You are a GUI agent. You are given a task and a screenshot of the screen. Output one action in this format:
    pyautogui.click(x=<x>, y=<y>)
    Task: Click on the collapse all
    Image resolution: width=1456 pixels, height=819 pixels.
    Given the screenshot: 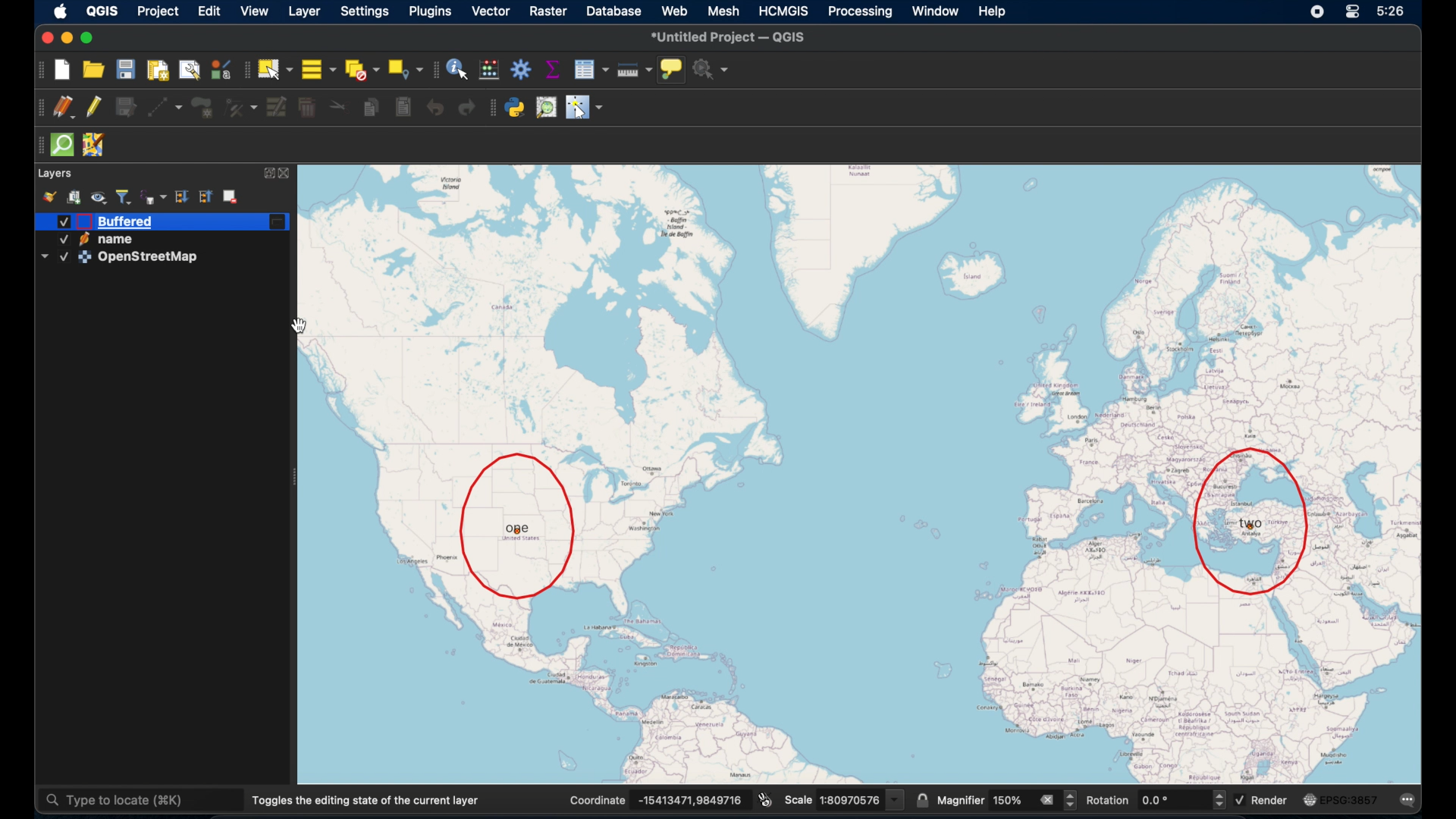 What is the action you would take?
    pyautogui.click(x=204, y=195)
    